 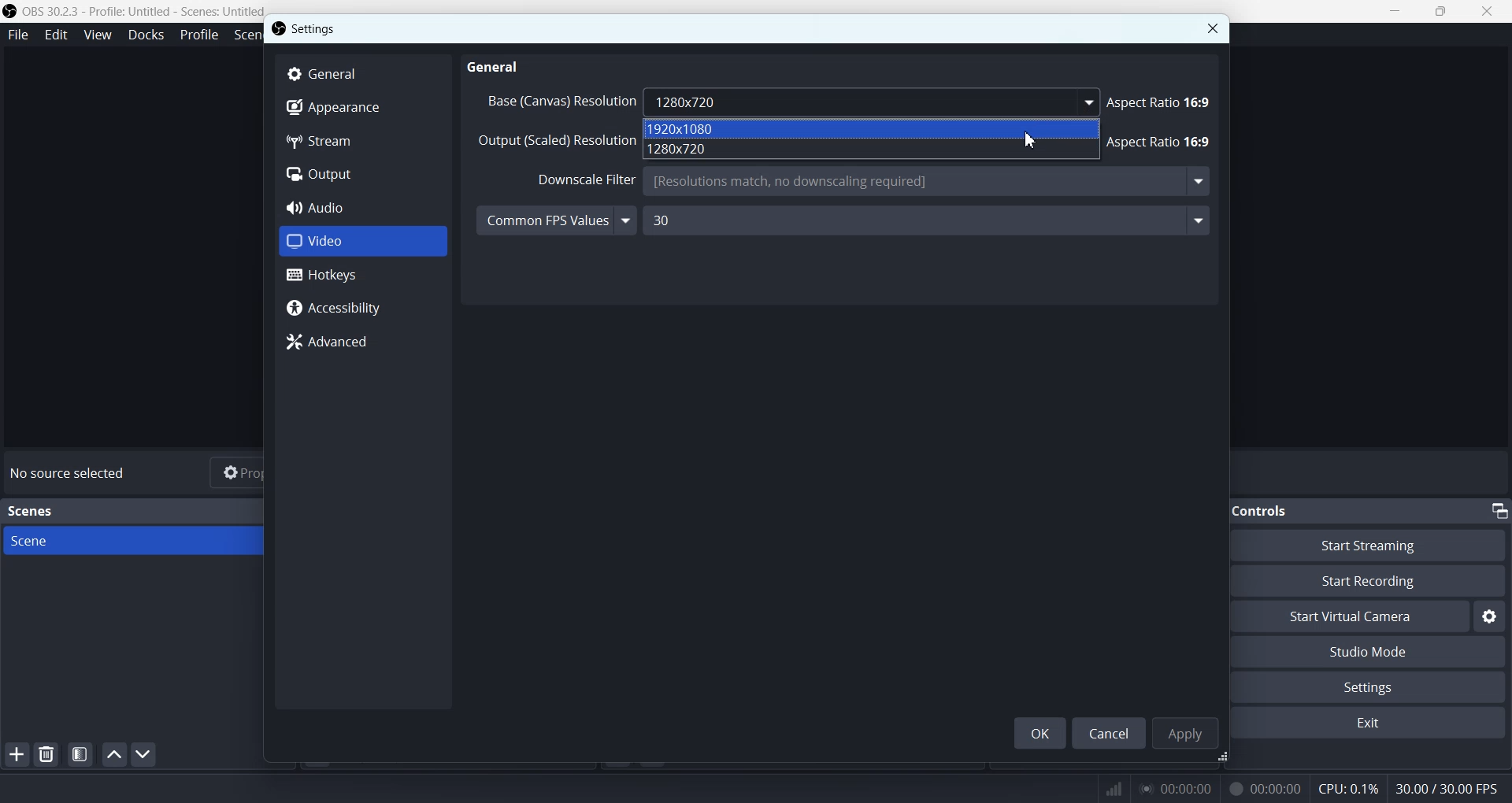 What do you see at coordinates (1395, 10) in the screenshot?
I see `Minimize` at bounding box center [1395, 10].